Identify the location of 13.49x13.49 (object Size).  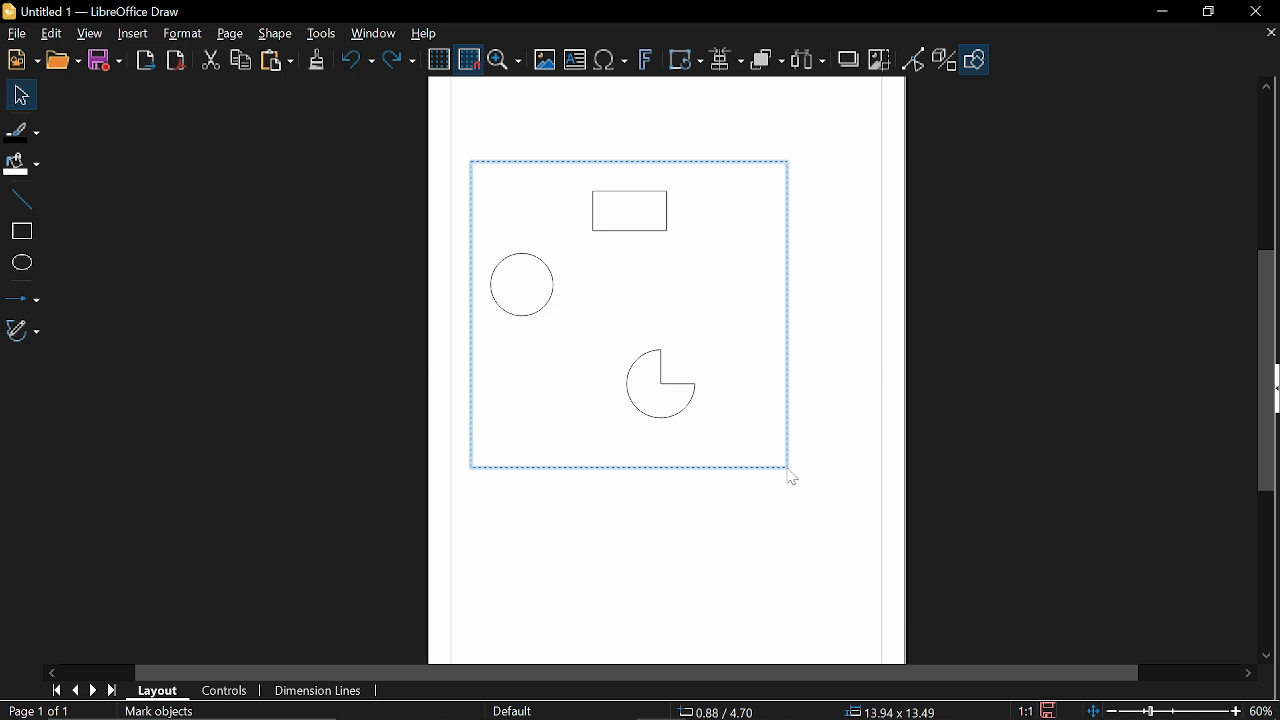
(890, 711).